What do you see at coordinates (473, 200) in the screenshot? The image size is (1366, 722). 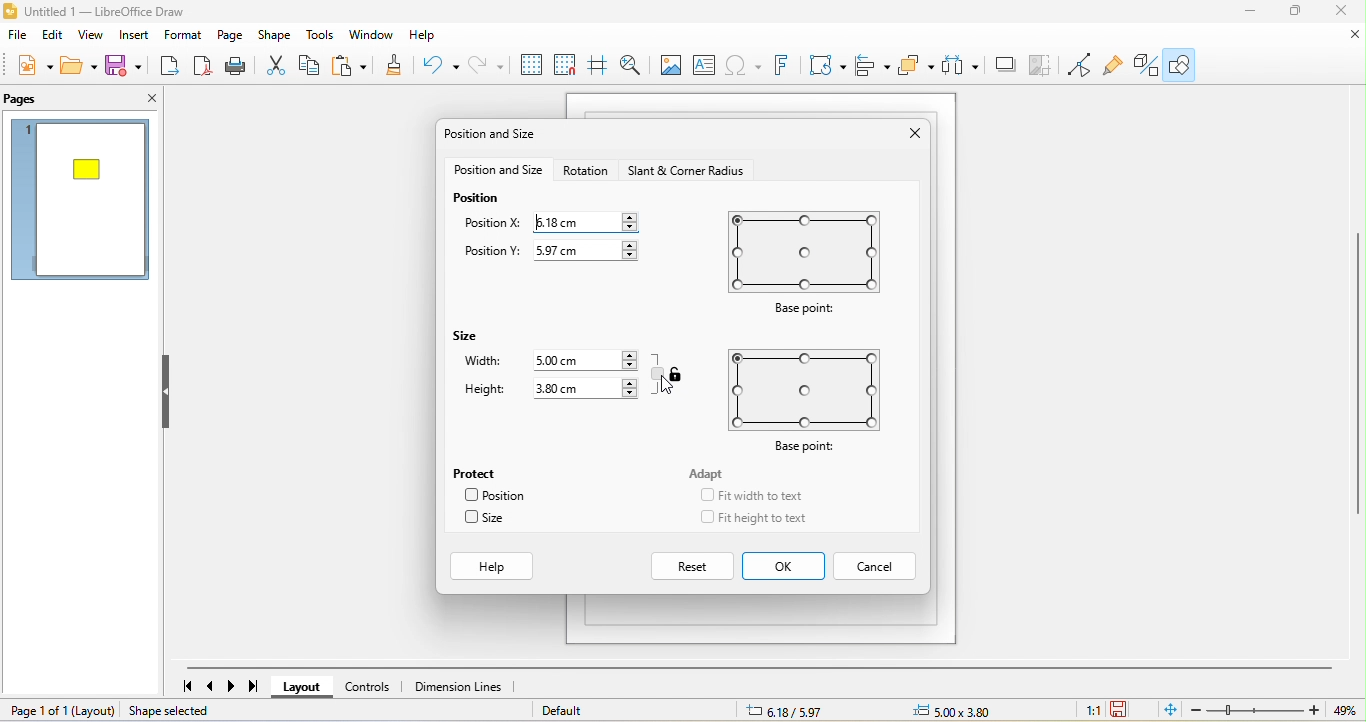 I see `position` at bounding box center [473, 200].